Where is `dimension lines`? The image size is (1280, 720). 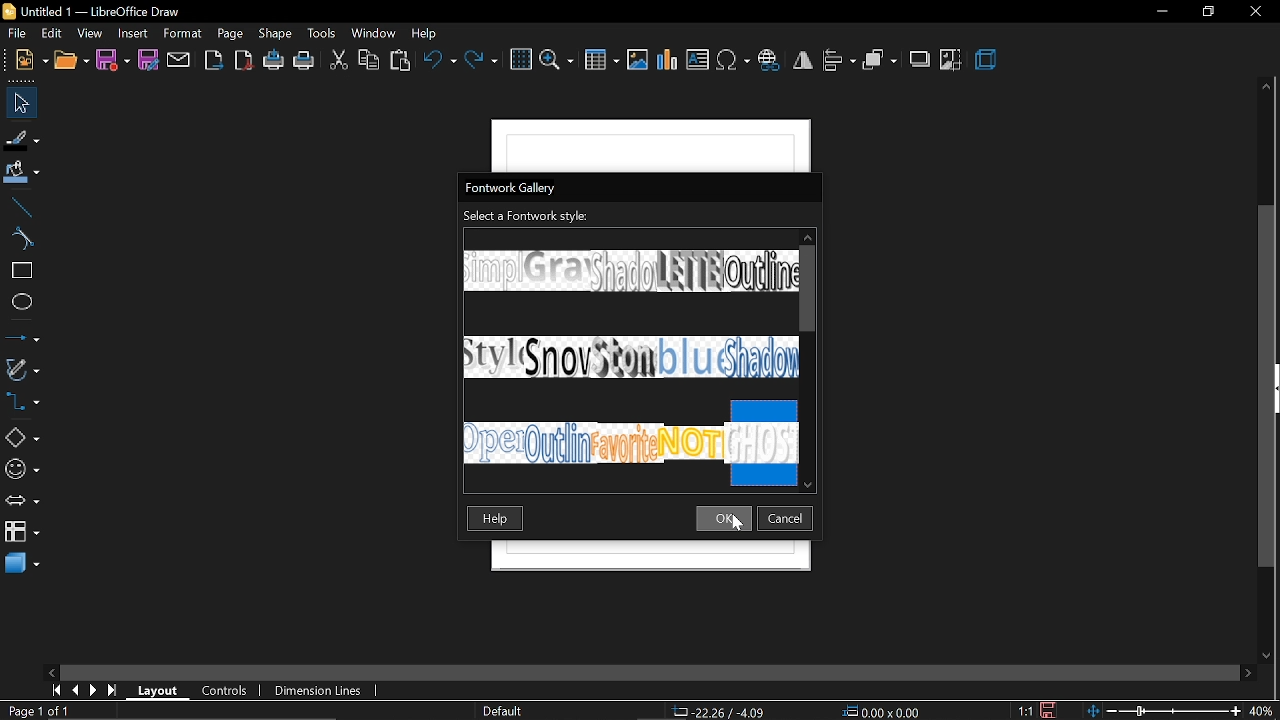 dimension lines is located at coordinates (318, 691).